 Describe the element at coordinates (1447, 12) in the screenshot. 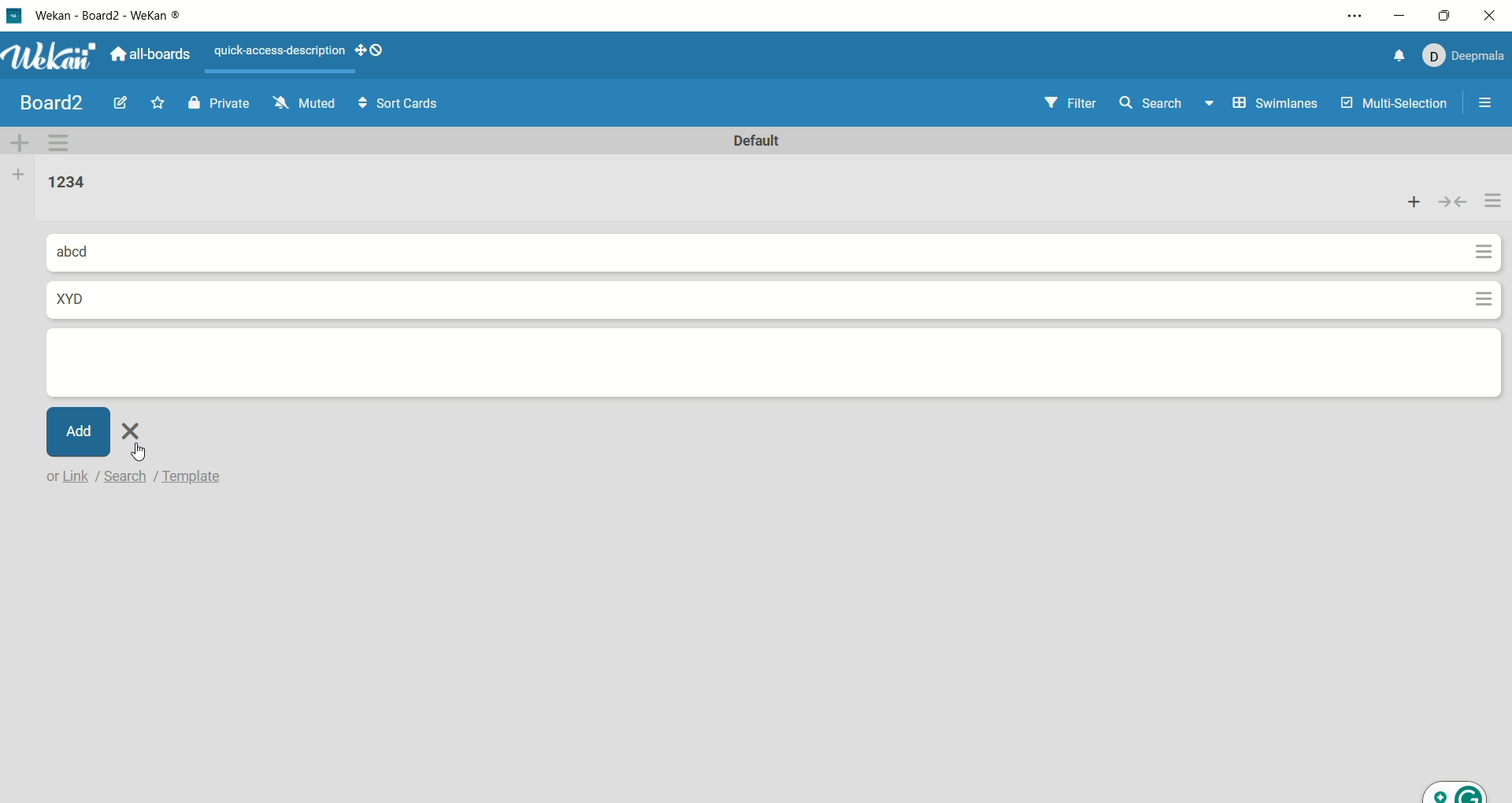

I see `maximize` at that location.